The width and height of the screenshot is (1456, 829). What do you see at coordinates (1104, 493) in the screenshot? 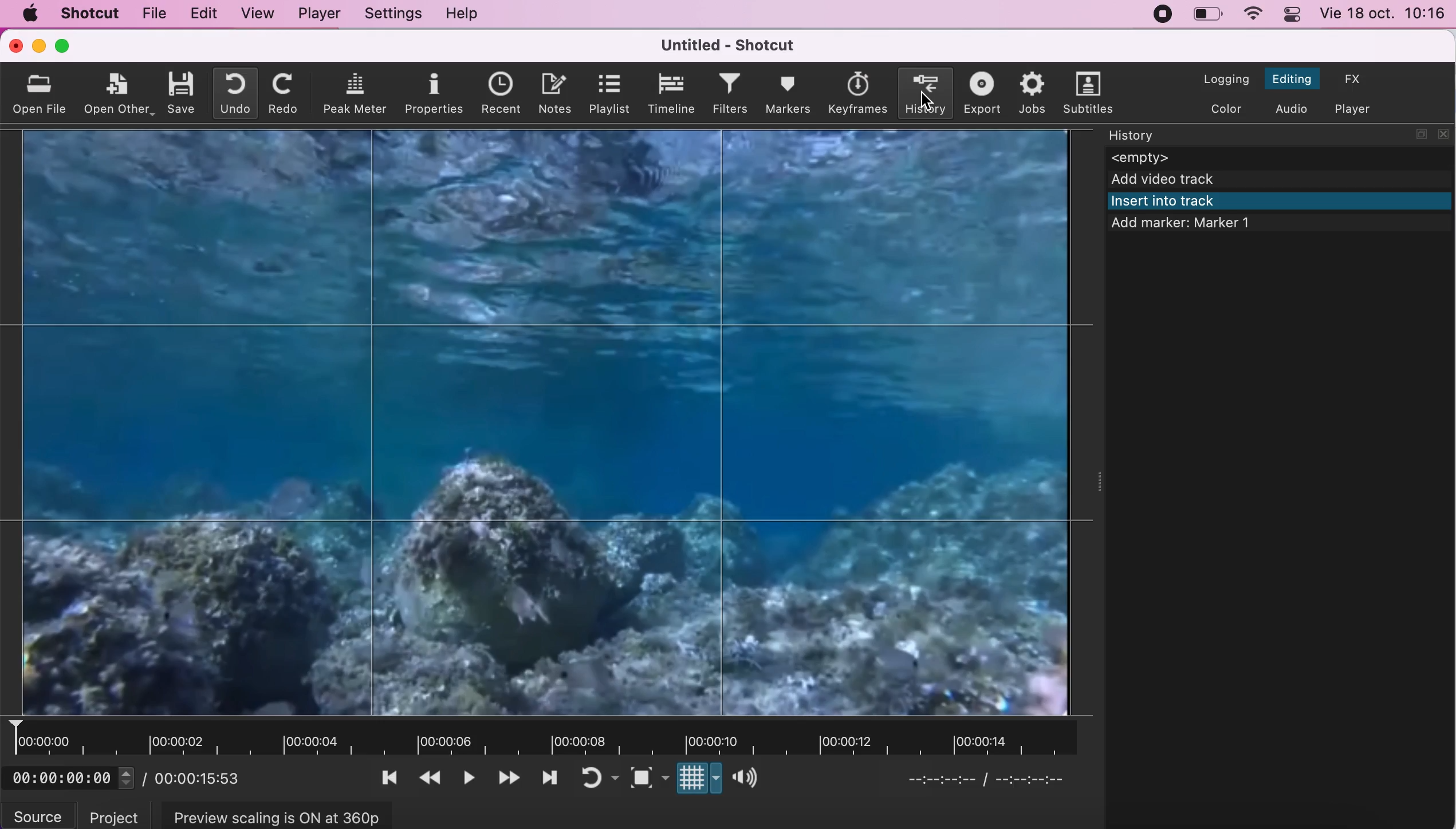
I see `shoow/hide panel` at bounding box center [1104, 493].